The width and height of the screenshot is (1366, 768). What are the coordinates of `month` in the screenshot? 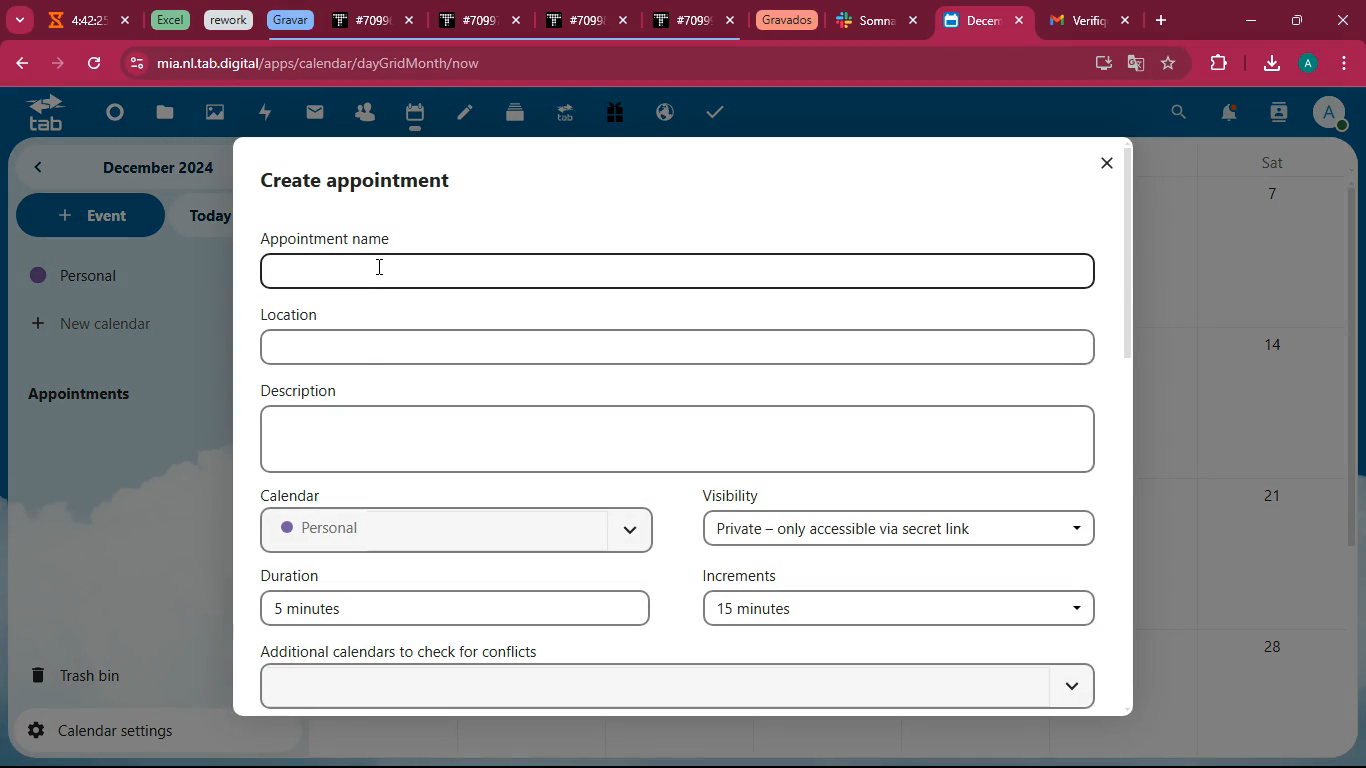 It's located at (120, 167).